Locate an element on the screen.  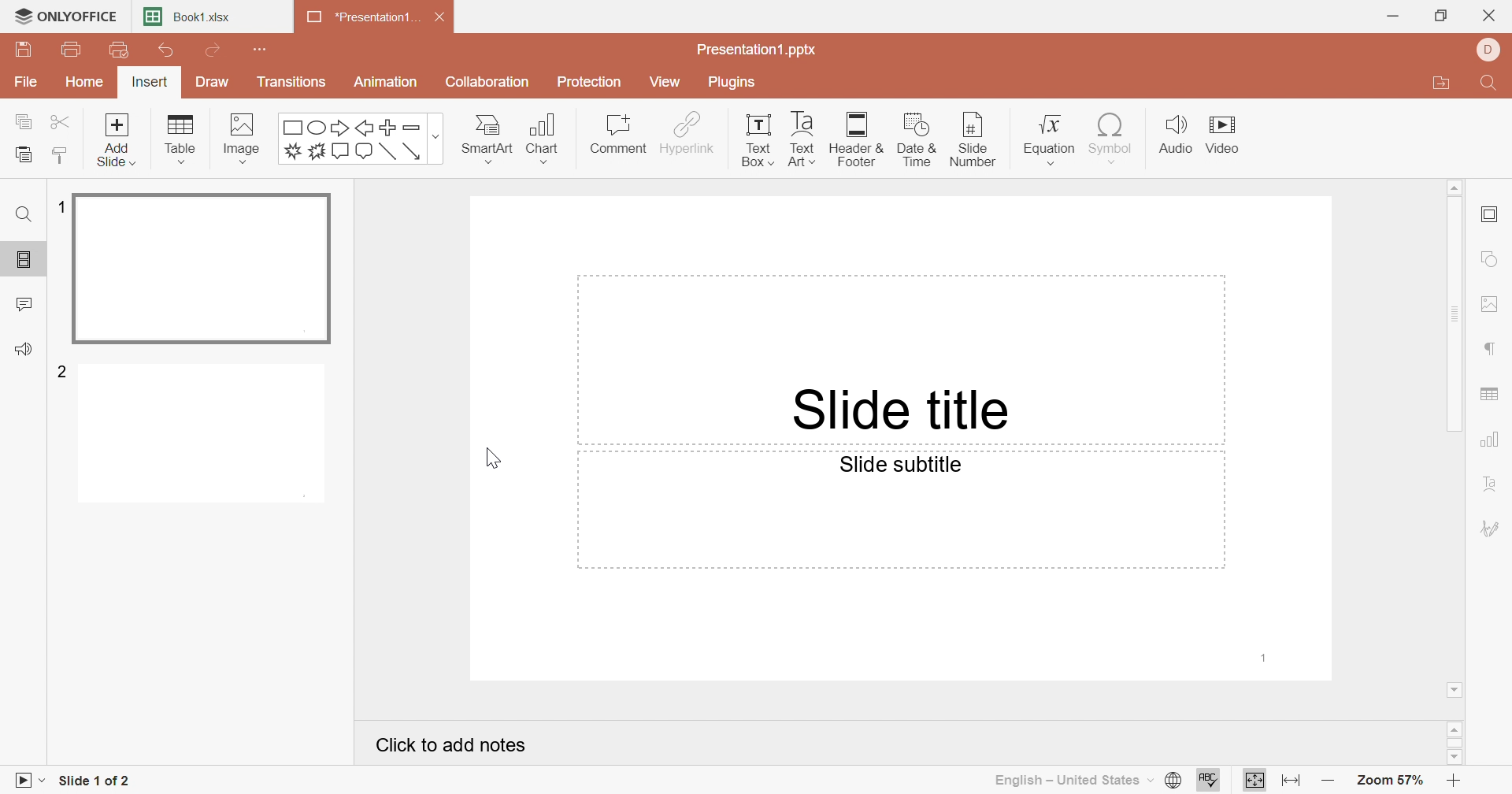
Text Box is located at coordinates (753, 139).